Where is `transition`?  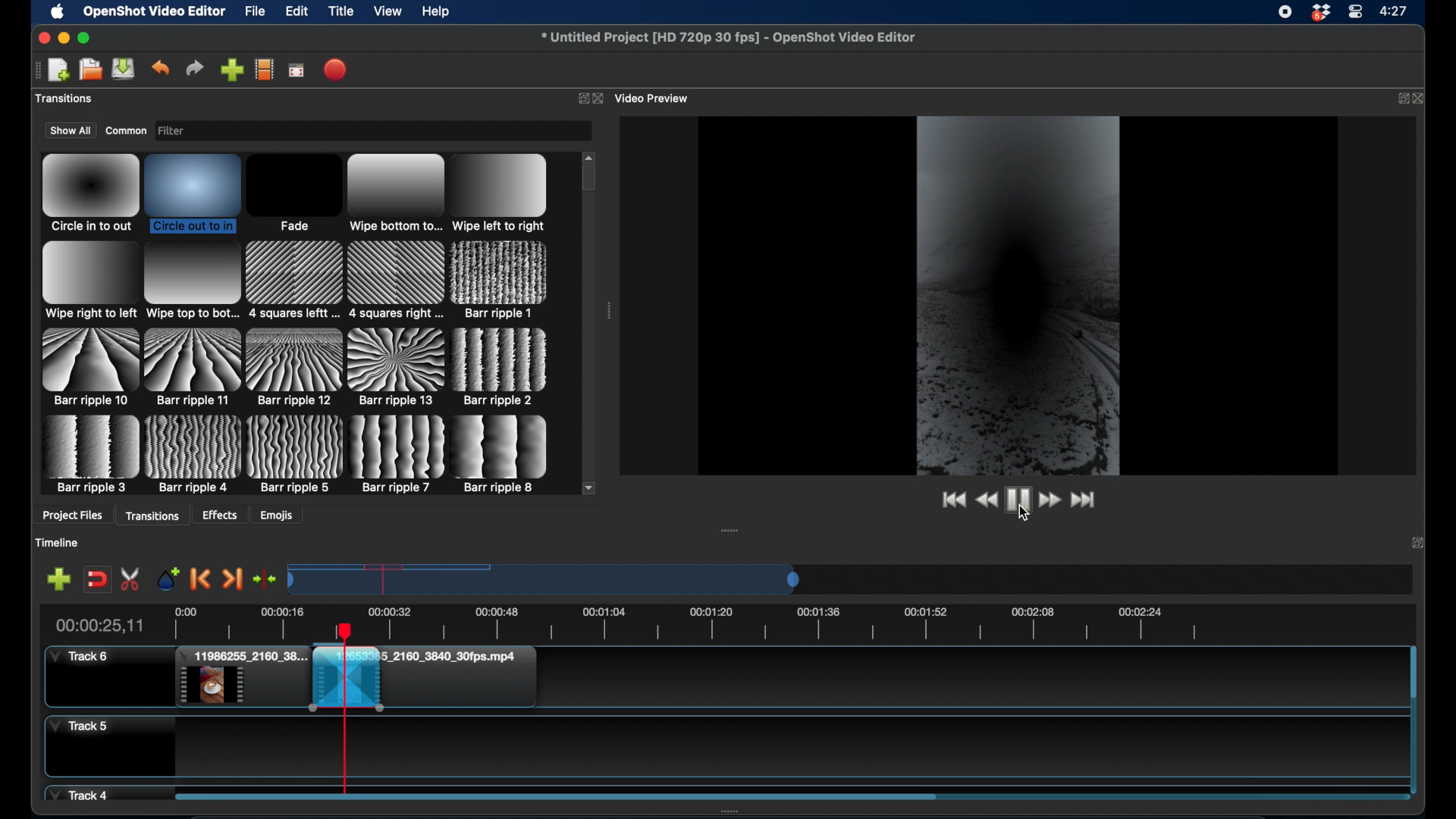 transition is located at coordinates (502, 454).